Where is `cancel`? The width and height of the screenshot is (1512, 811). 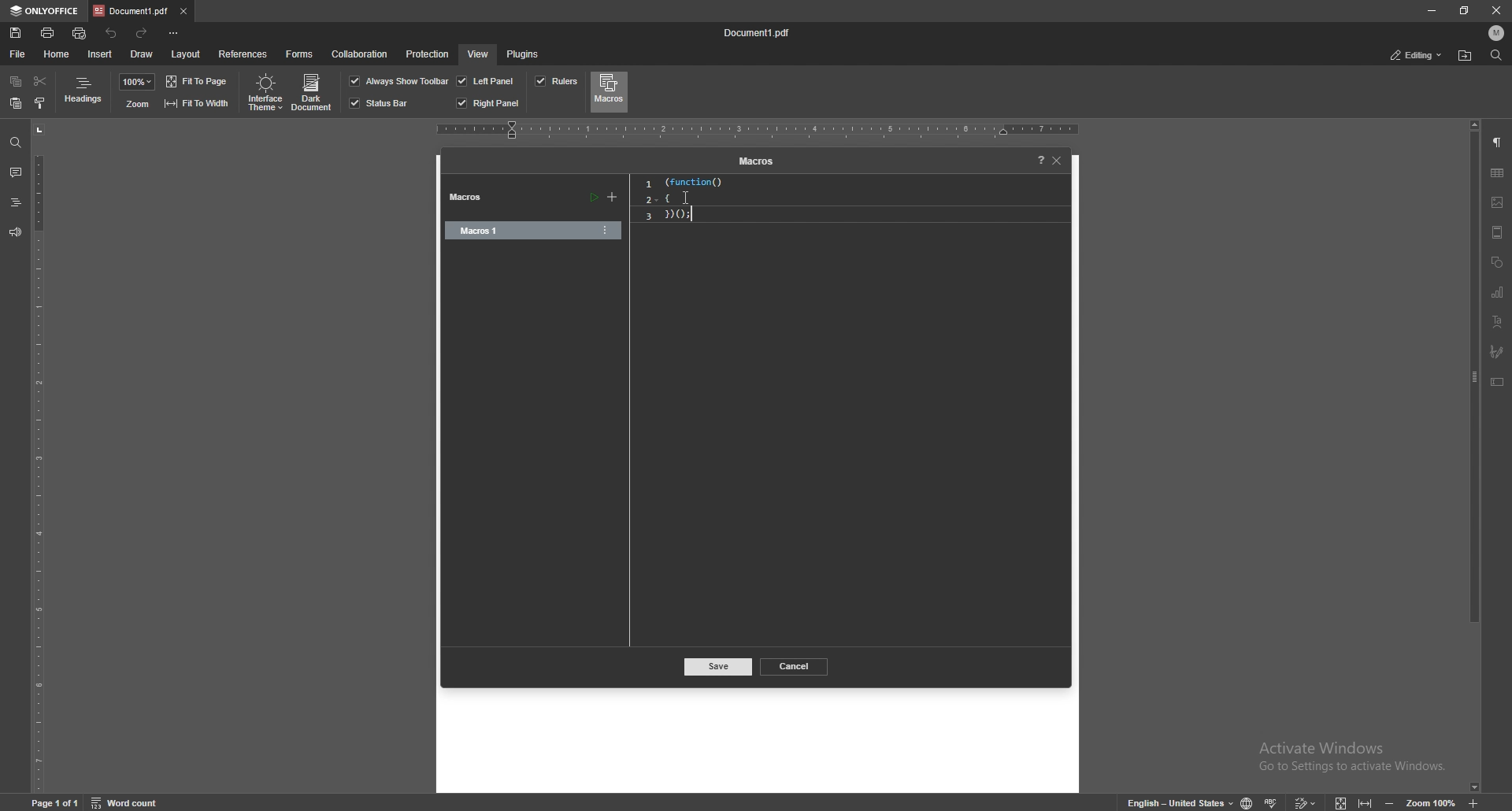 cancel is located at coordinates (795, 665).